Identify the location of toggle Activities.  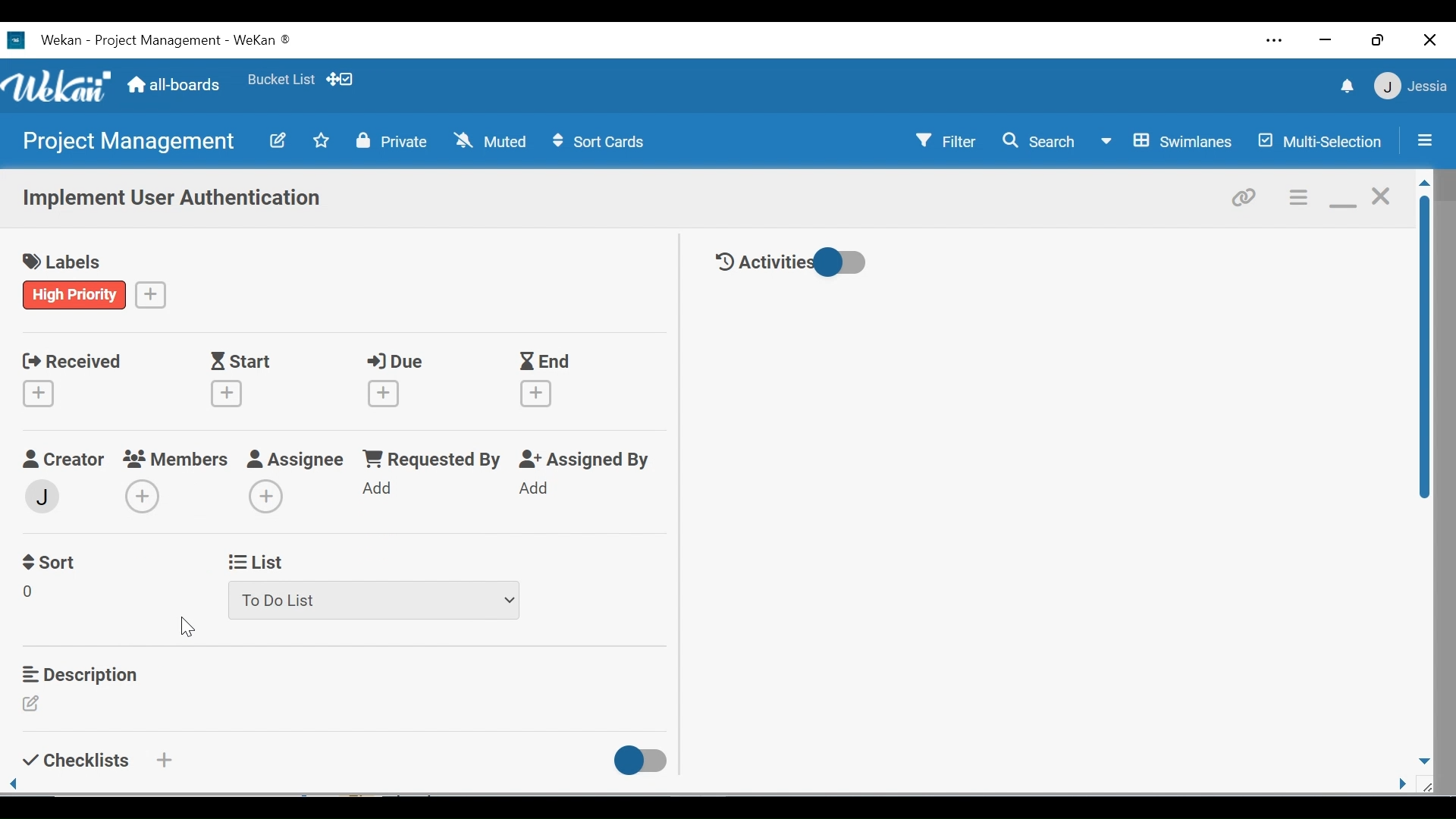
(795, 262).